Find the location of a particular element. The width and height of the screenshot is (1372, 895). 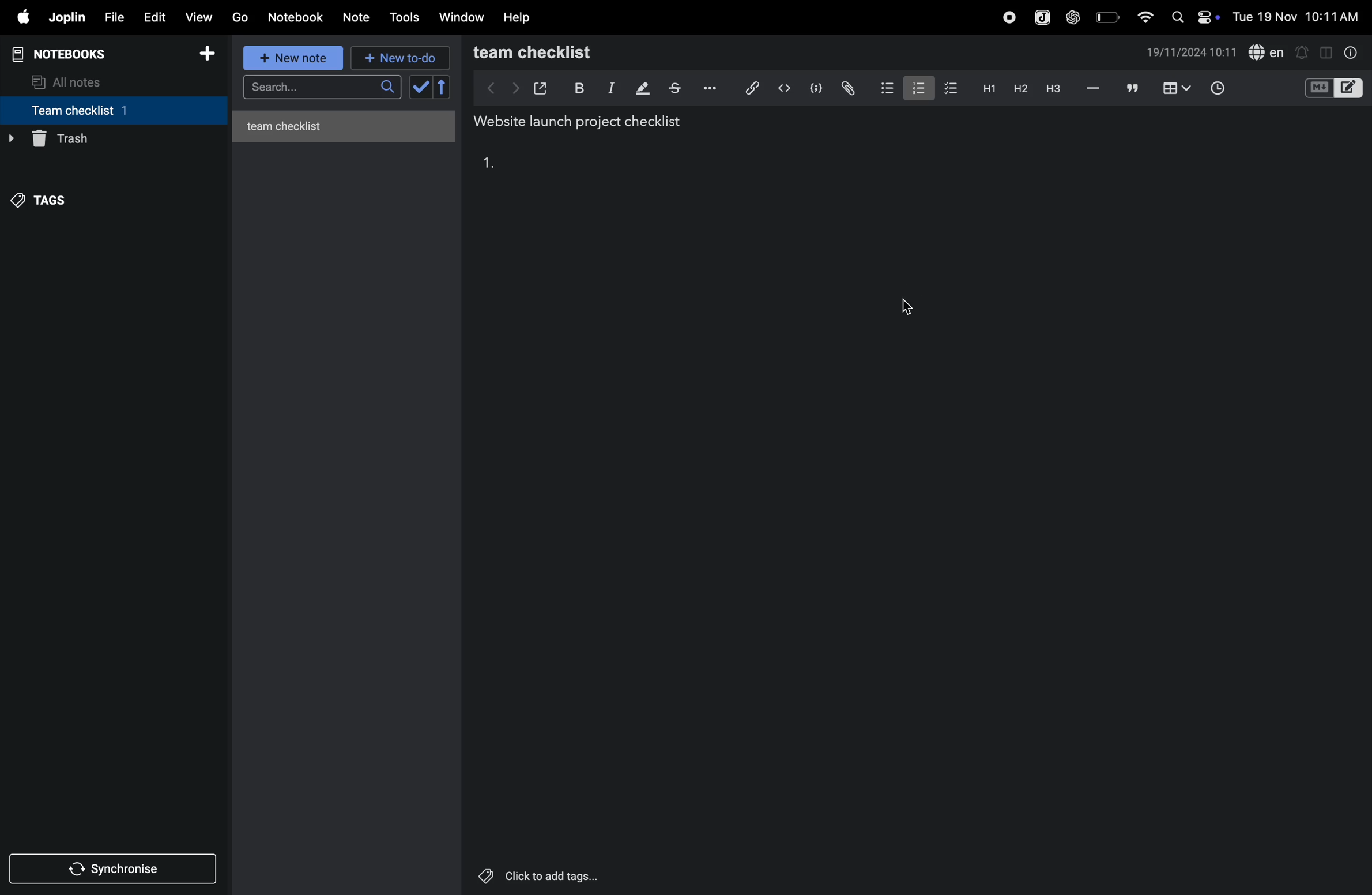

notebooks is located at coordinates (66, 52).